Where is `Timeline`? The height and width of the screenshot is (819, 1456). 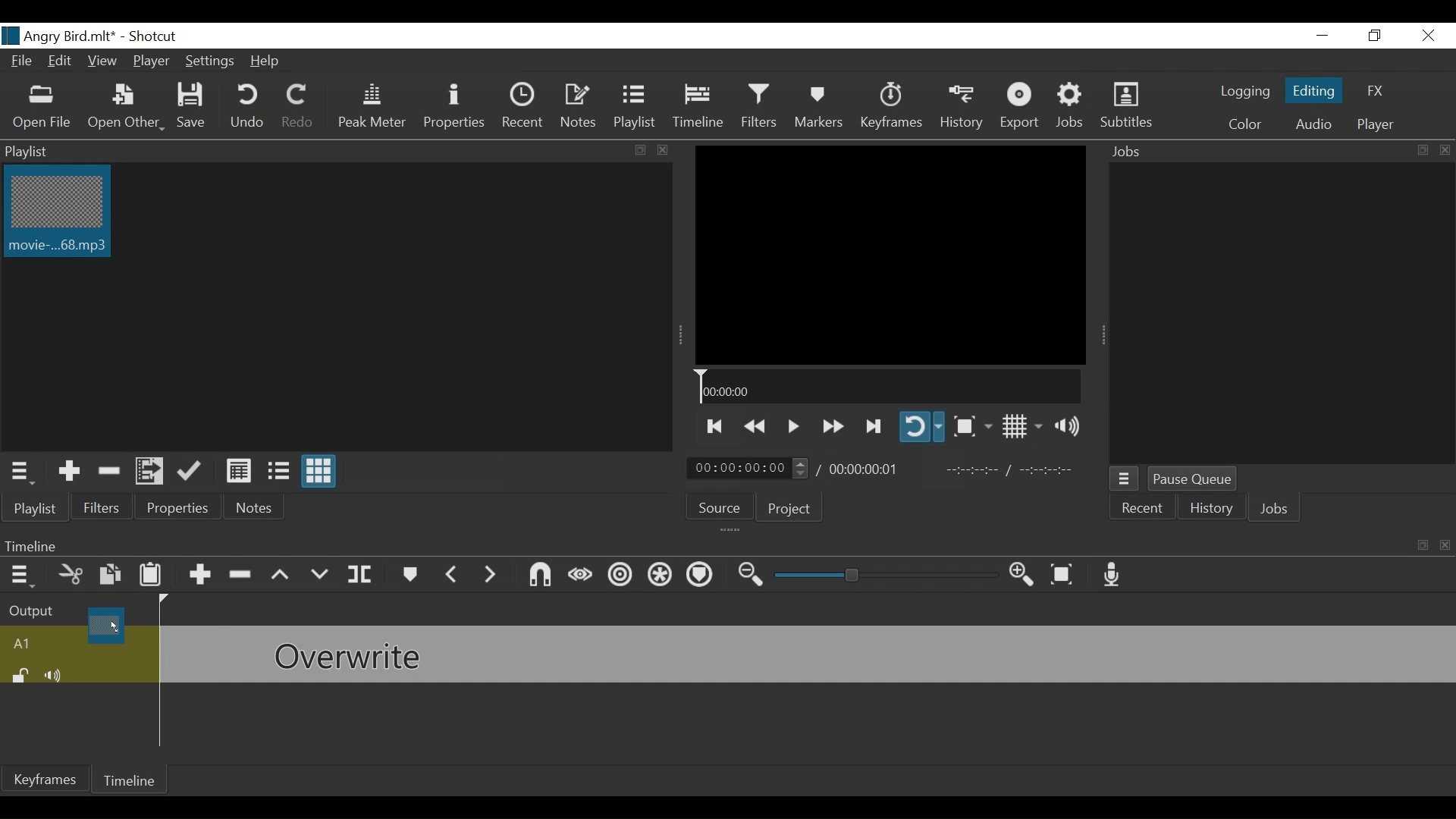 Timeline is located at coordinates (888, 387).